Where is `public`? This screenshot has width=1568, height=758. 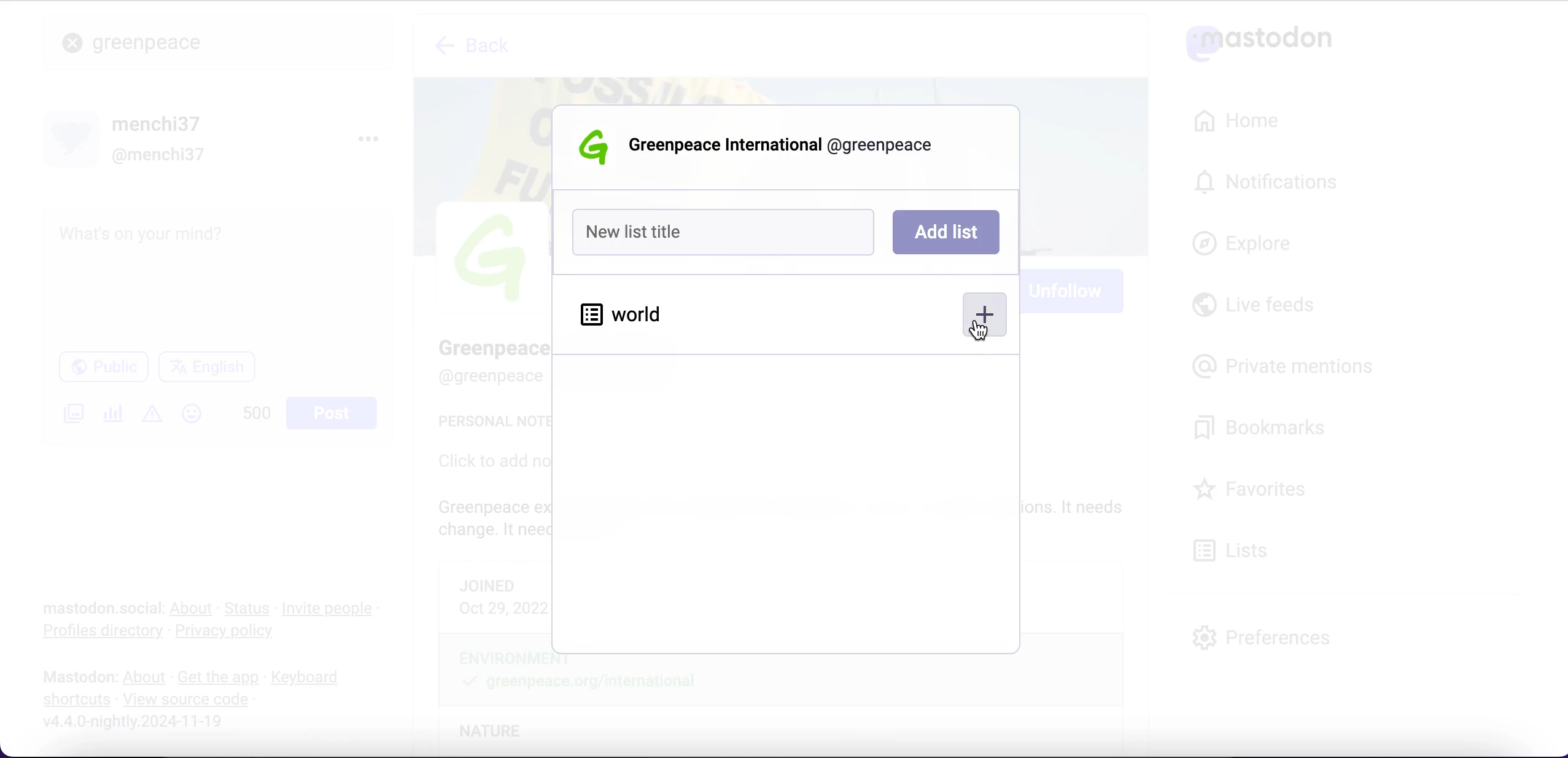
public is located at coordinates (102, 370).